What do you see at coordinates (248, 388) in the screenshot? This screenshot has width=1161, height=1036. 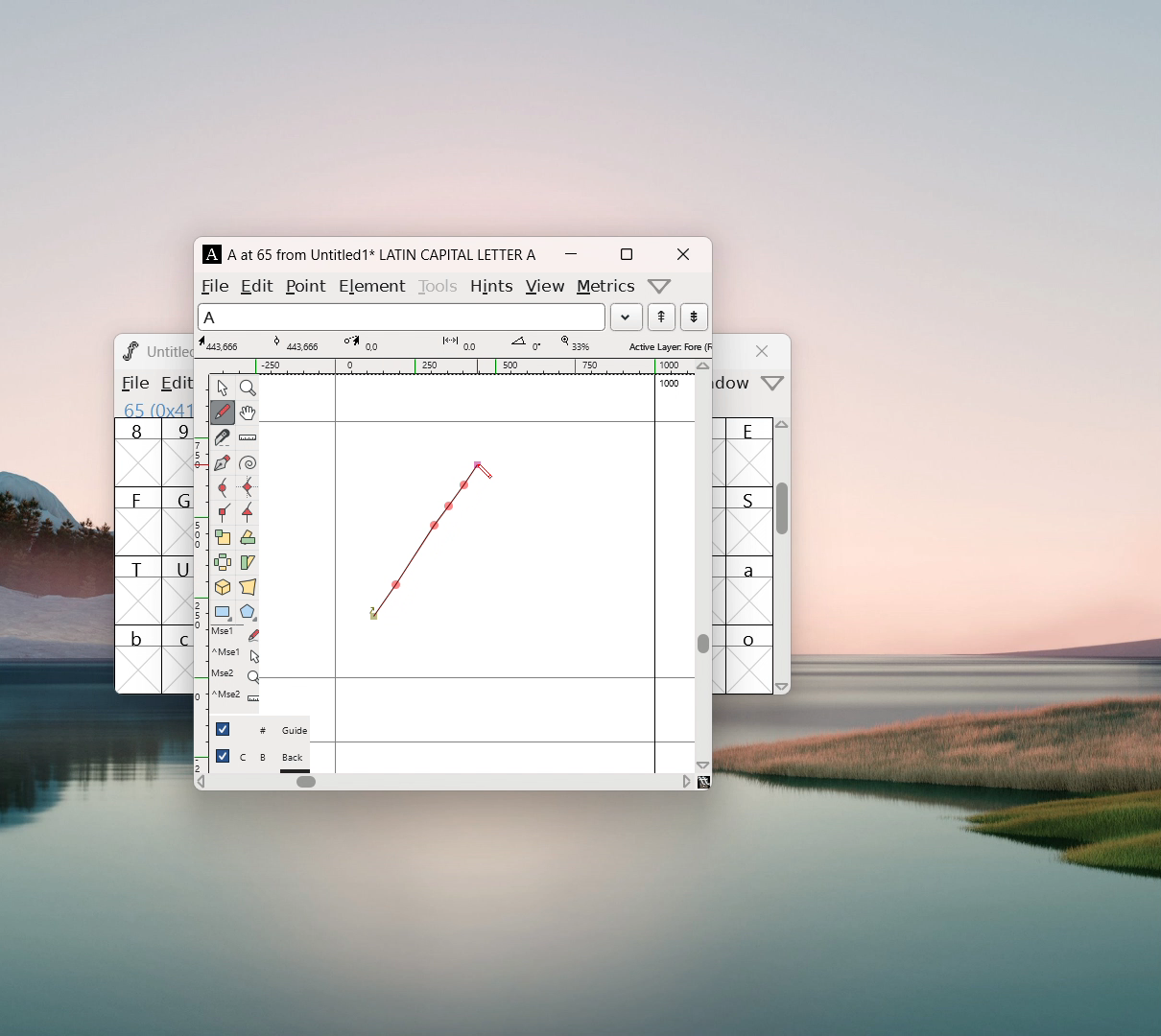 I see `maginify` at bounding box center [248, 388].